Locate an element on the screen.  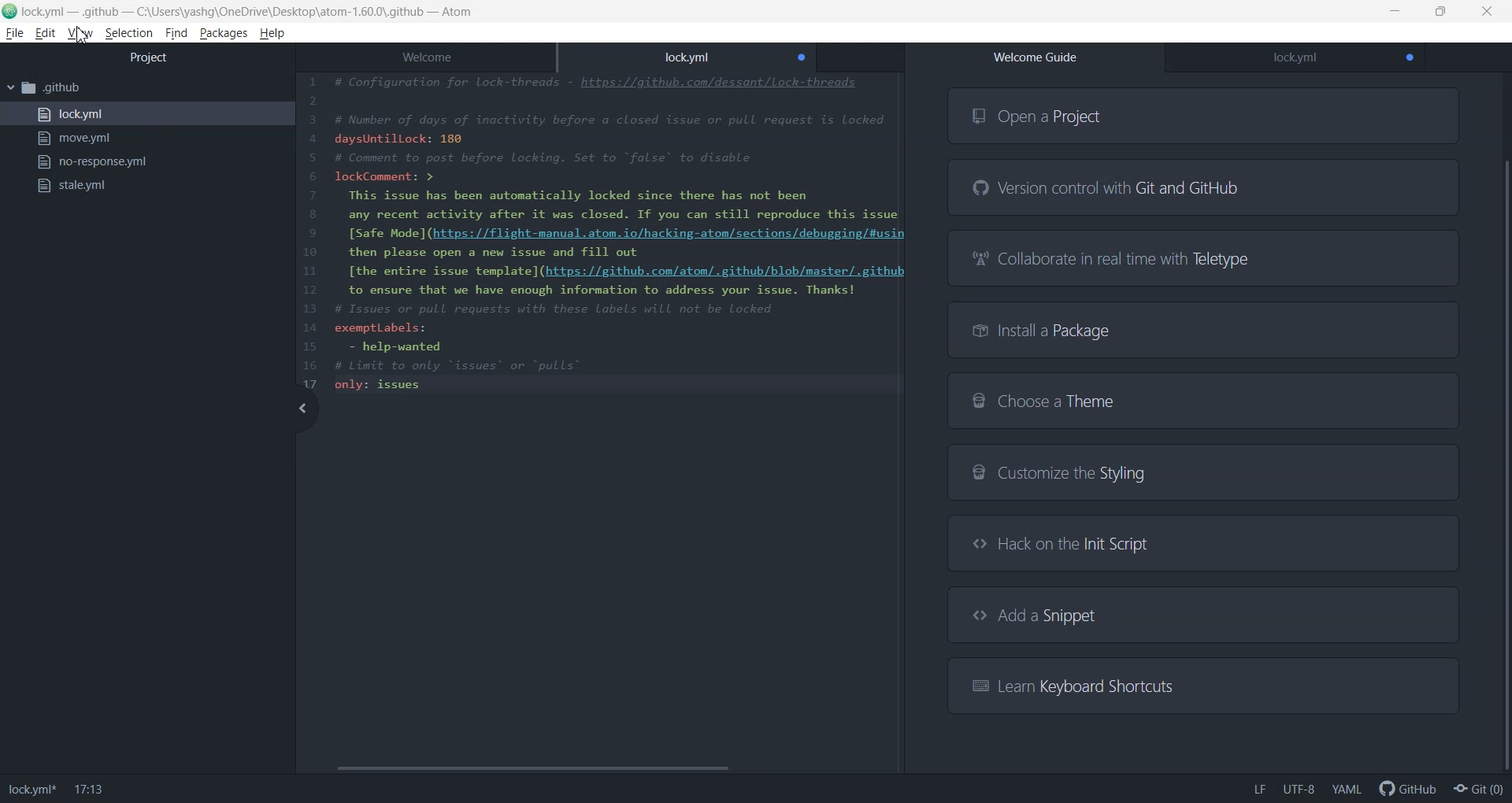
Learn Keyboard Shortcuts is located at coordinates (1200, 684).